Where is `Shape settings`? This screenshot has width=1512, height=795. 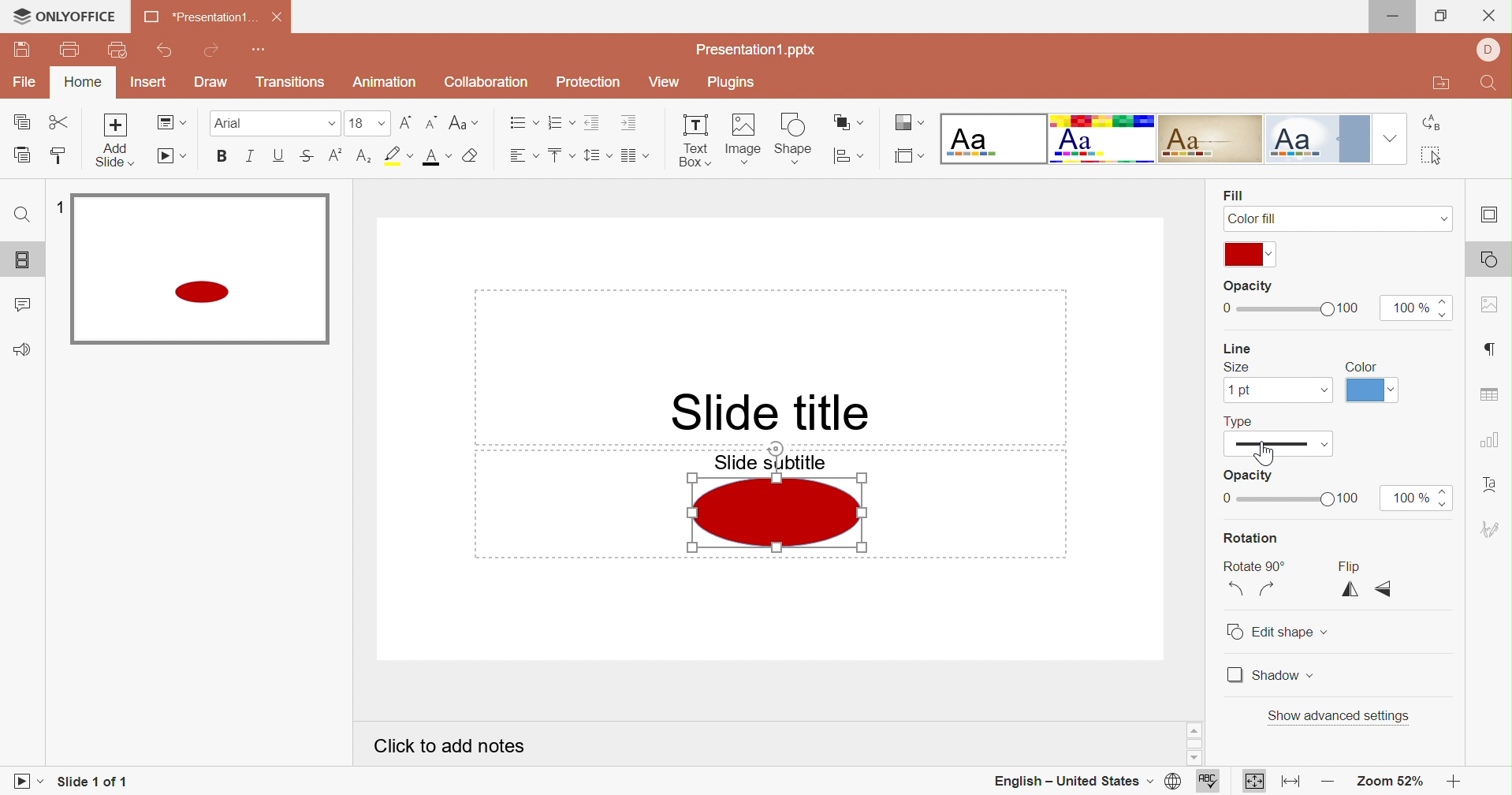
Shape settings is located at coordinates (1487, 262).